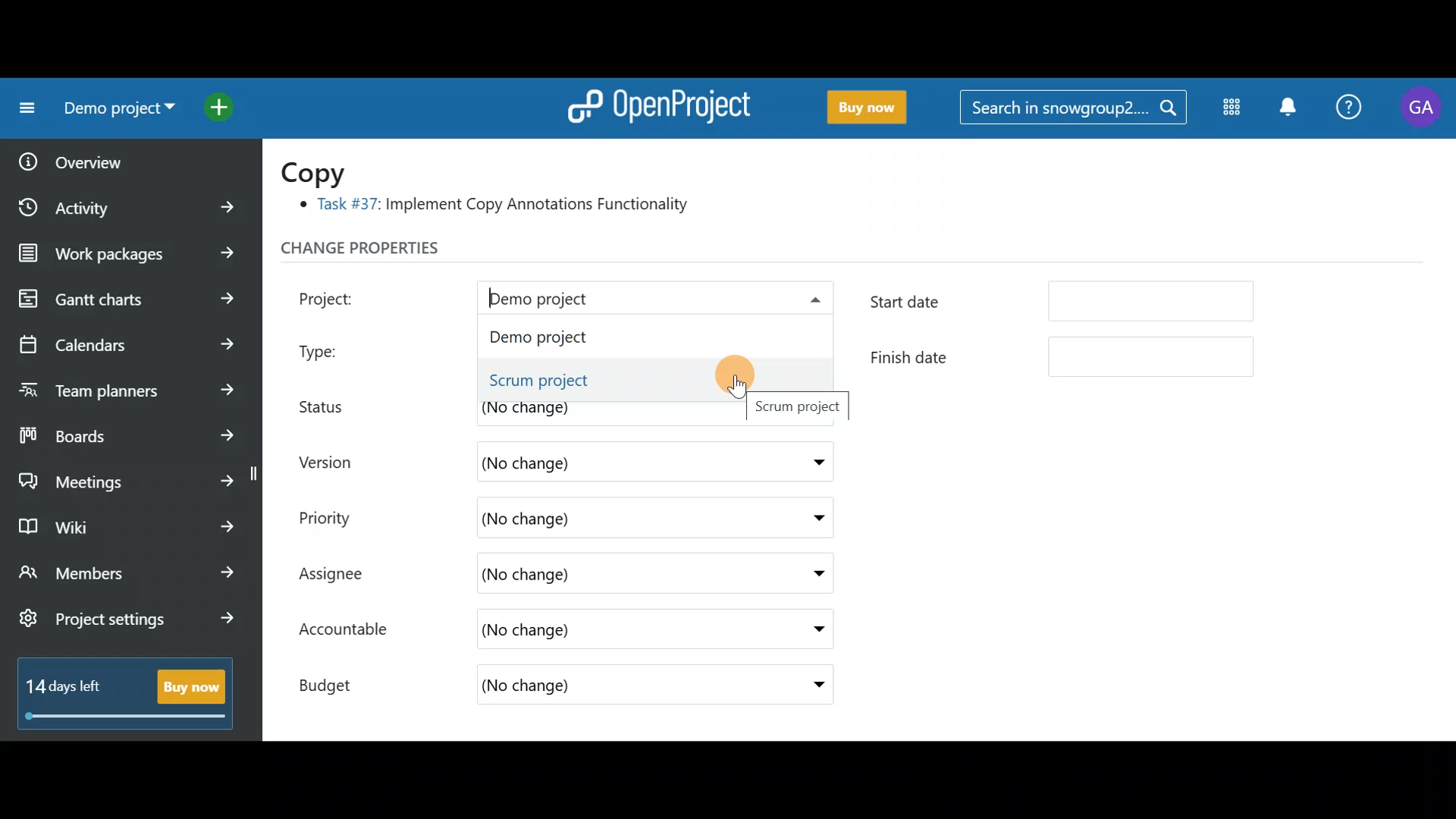  I want to click on Team planners, so click(124, 385).